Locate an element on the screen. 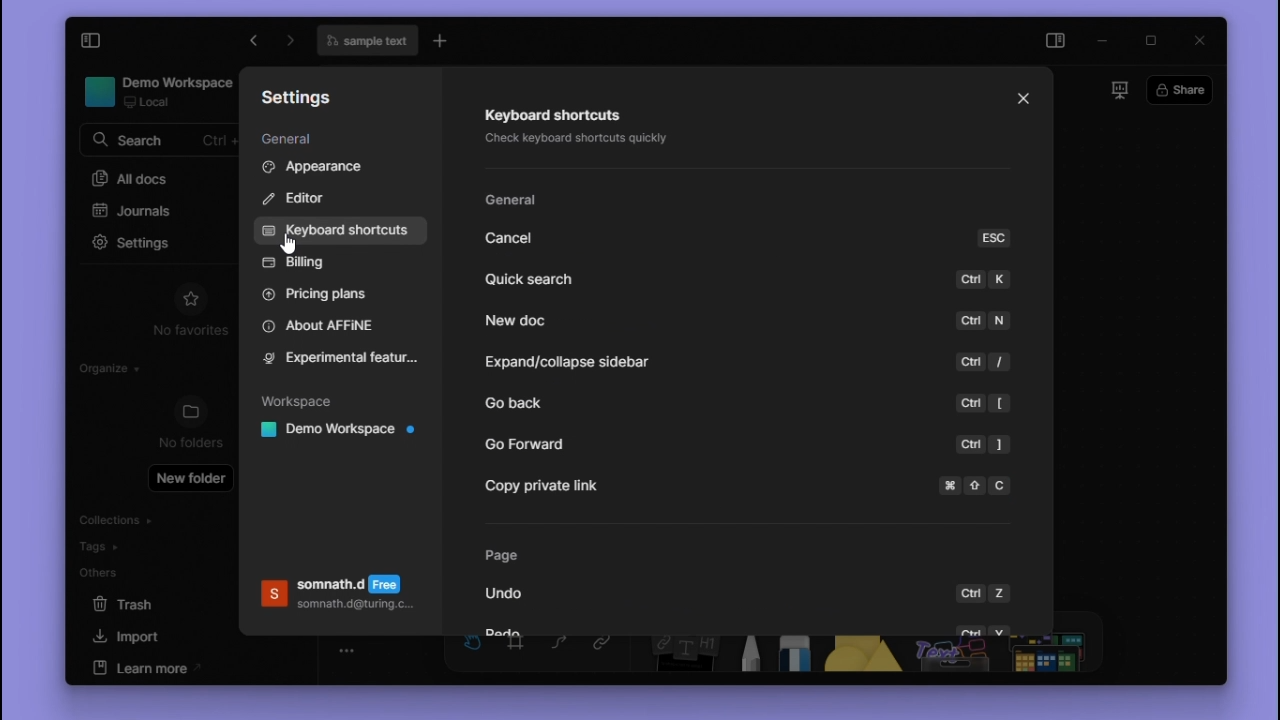 Image resolution: width=1280 pixels, height=720 pixels. workspace name and details is located at coordinates (150, 93).